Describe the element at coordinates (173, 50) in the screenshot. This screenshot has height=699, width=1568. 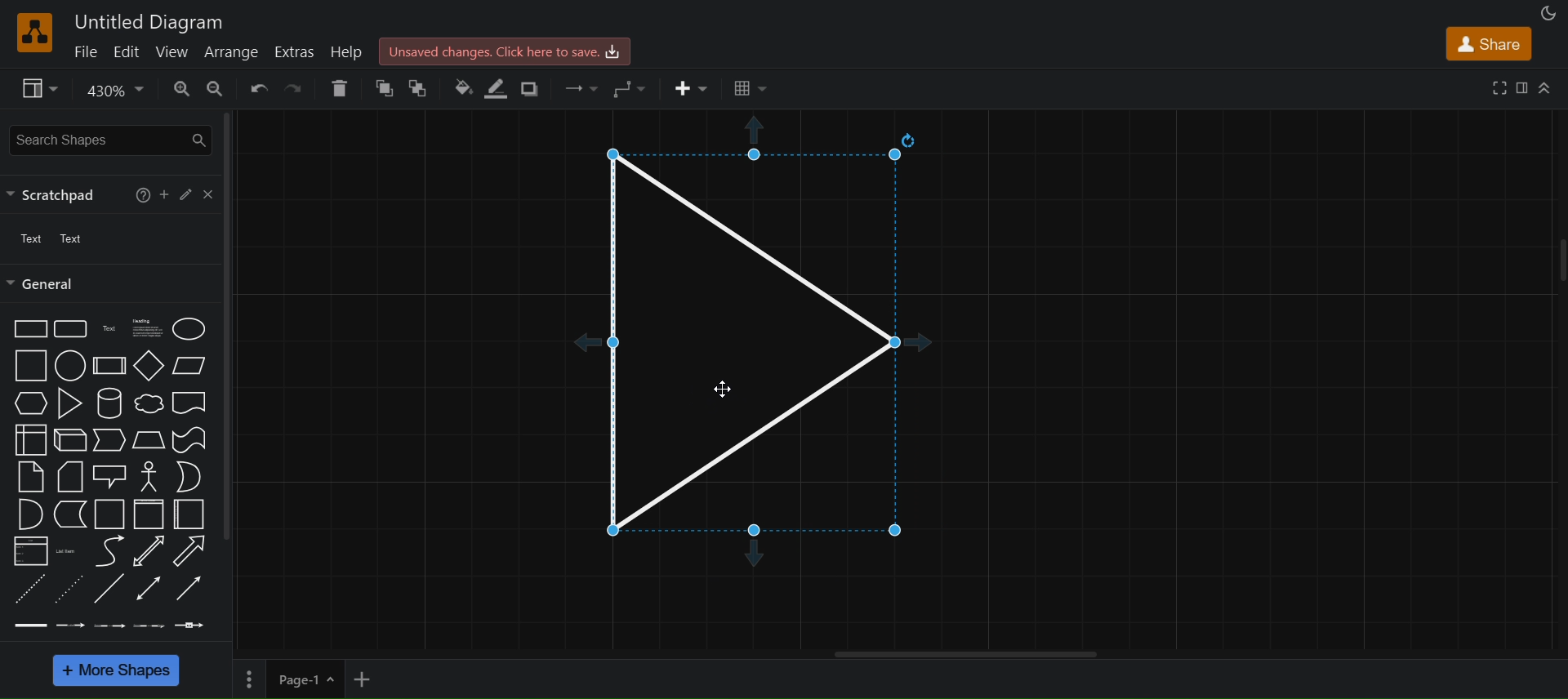
I see `view` at that location.